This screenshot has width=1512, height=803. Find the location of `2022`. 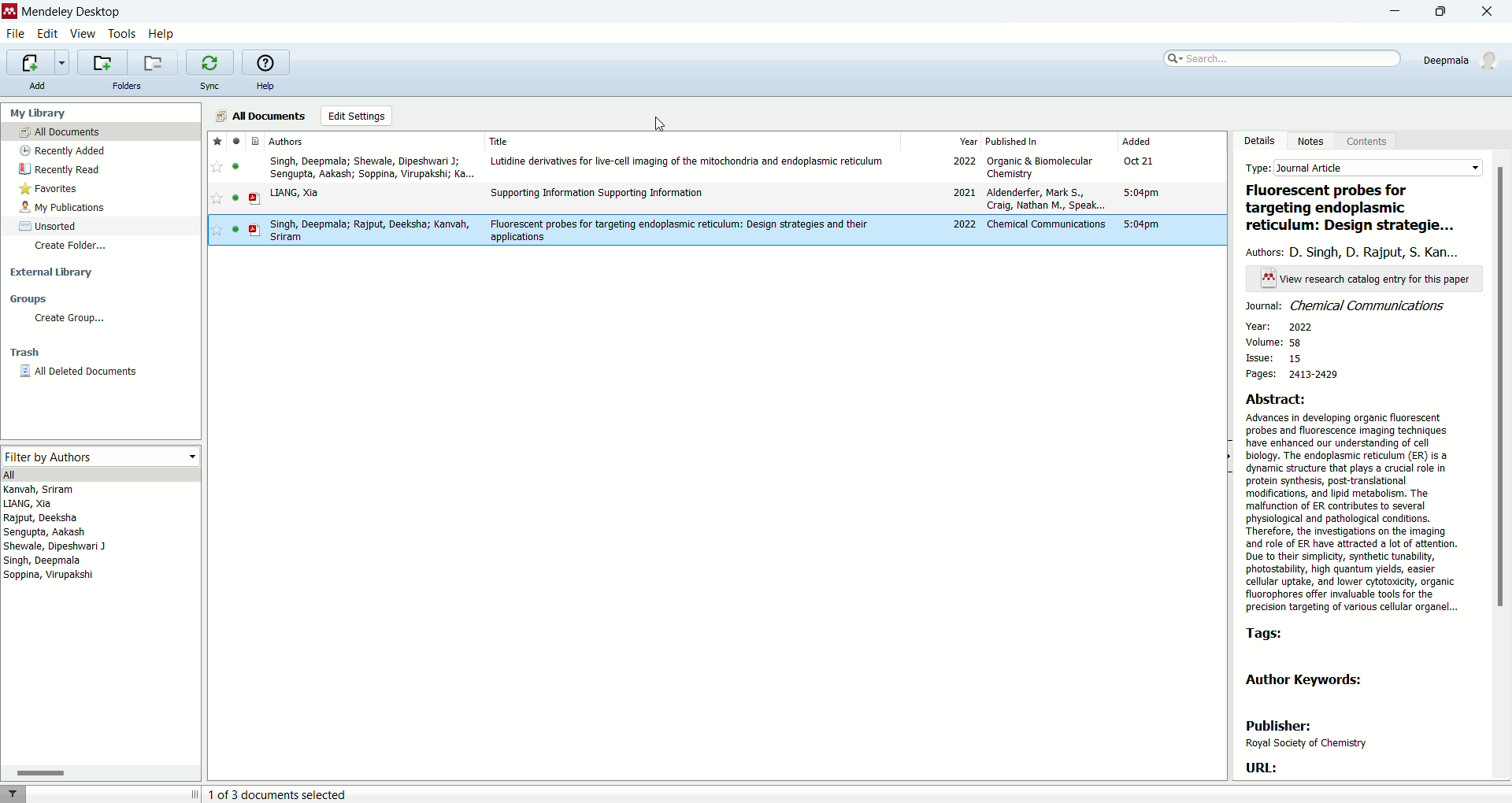

2022 is located at coordinates (965, 225).